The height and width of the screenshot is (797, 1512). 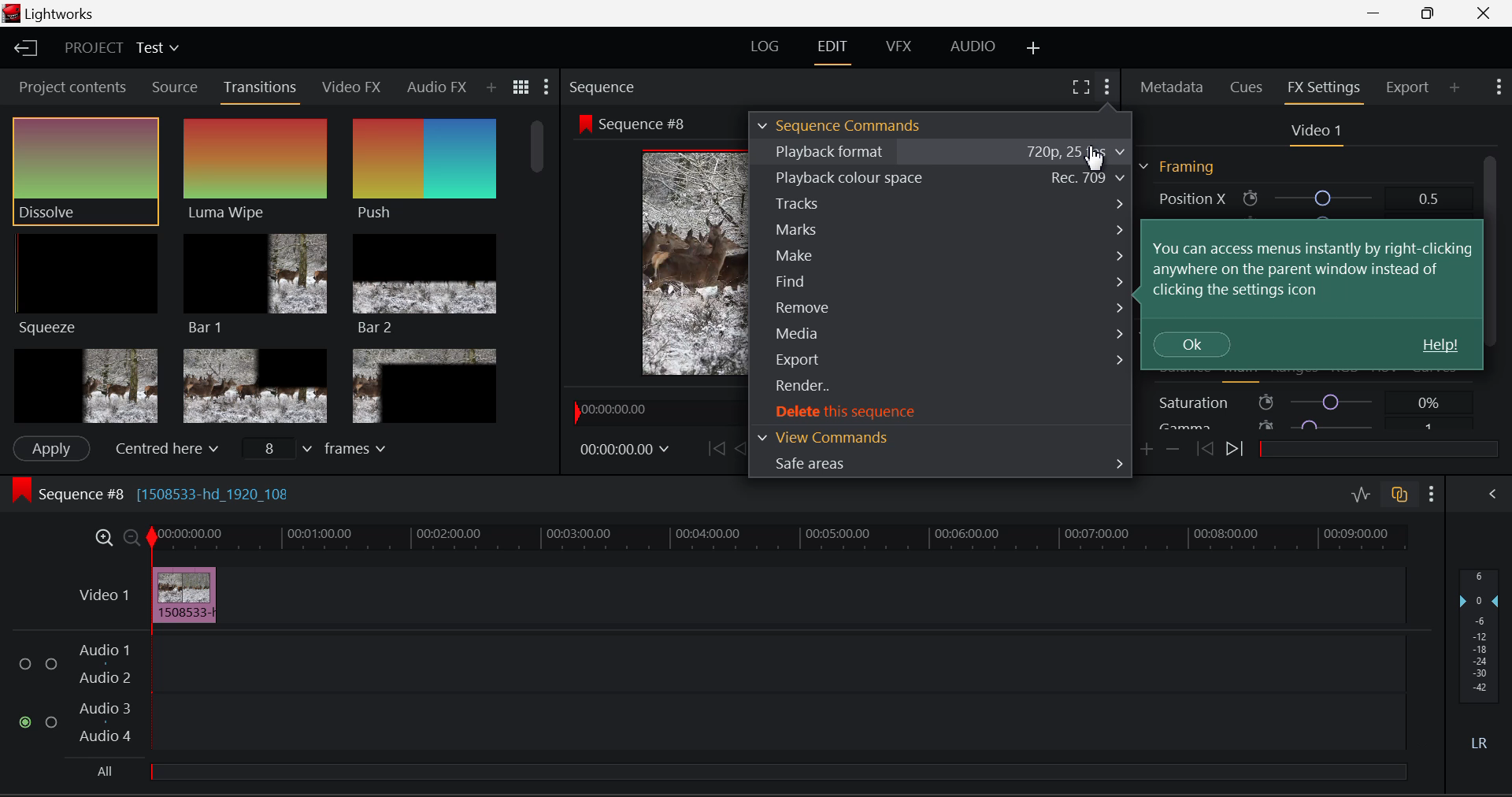 What do you see at coordinates (896, 50) in the screenshot?
I see `VFX Layout` at bounding box center [896, 50].